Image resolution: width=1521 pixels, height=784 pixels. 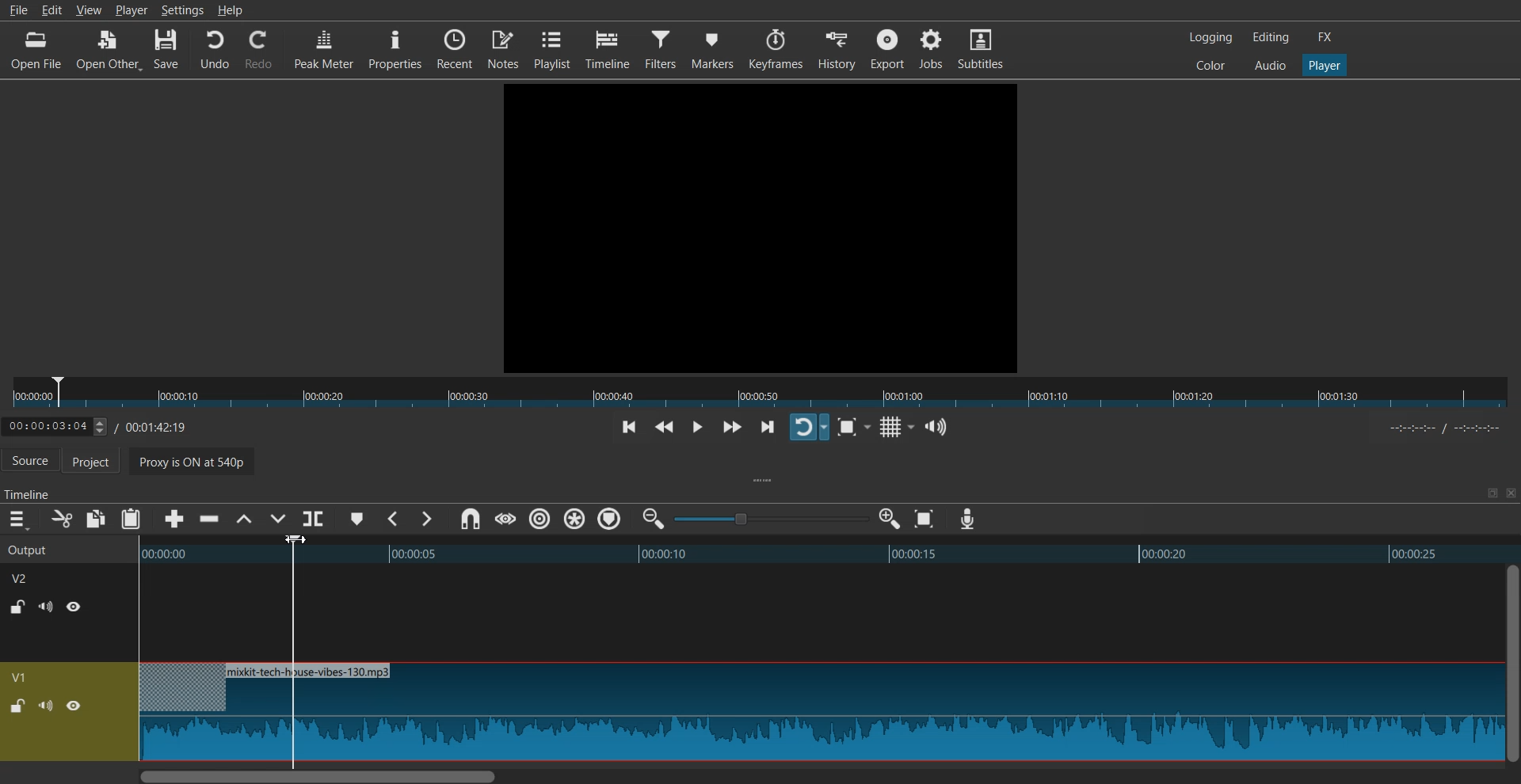 What do you see at coordinates (930, 48) in the screenshot?
I see `Jobs` at bounding box center [930, 48].